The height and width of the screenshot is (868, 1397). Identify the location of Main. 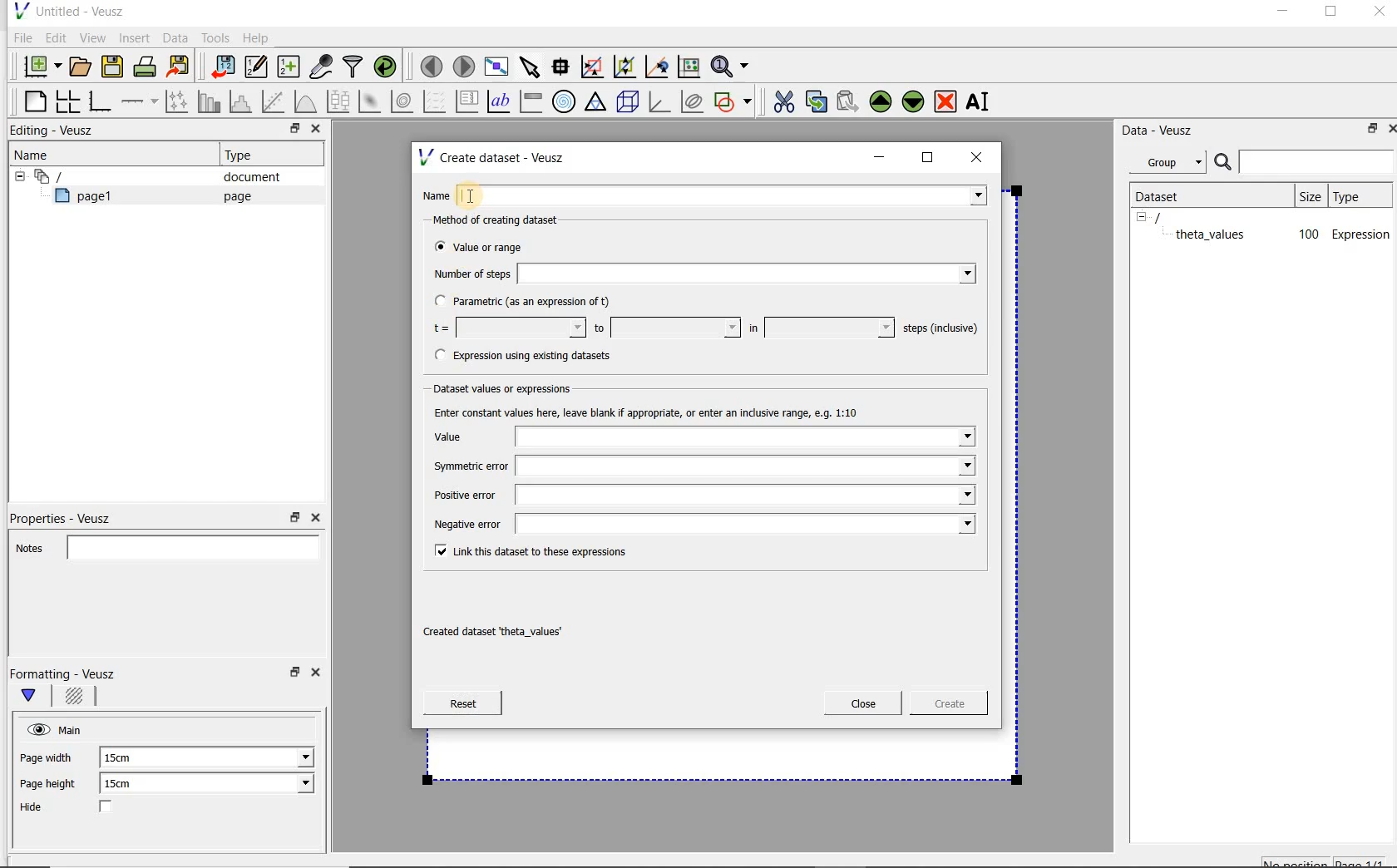
(73, 728).